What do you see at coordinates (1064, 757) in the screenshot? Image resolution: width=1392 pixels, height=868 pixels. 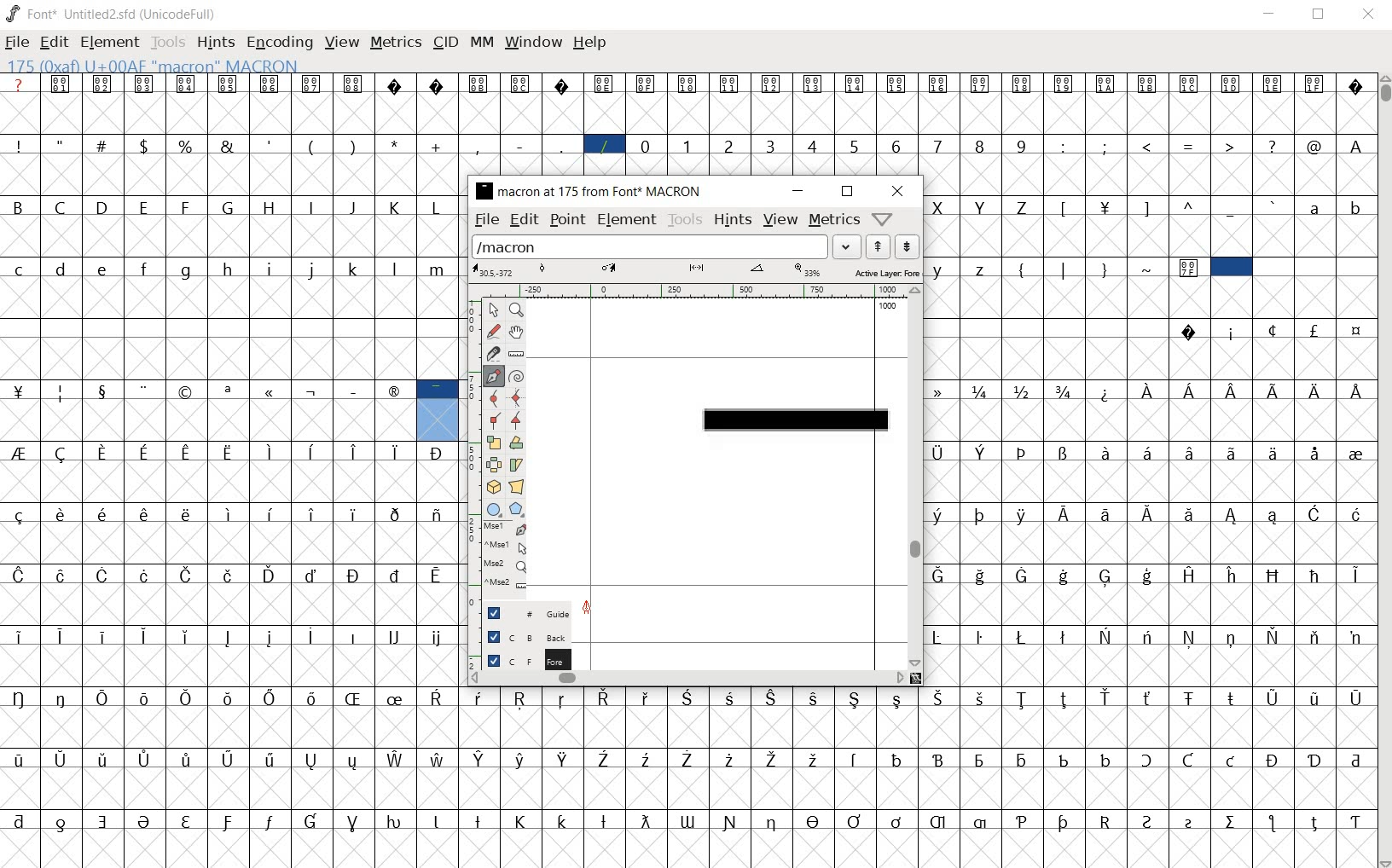 I see `Symbol` at bounding box center [1064, 757].